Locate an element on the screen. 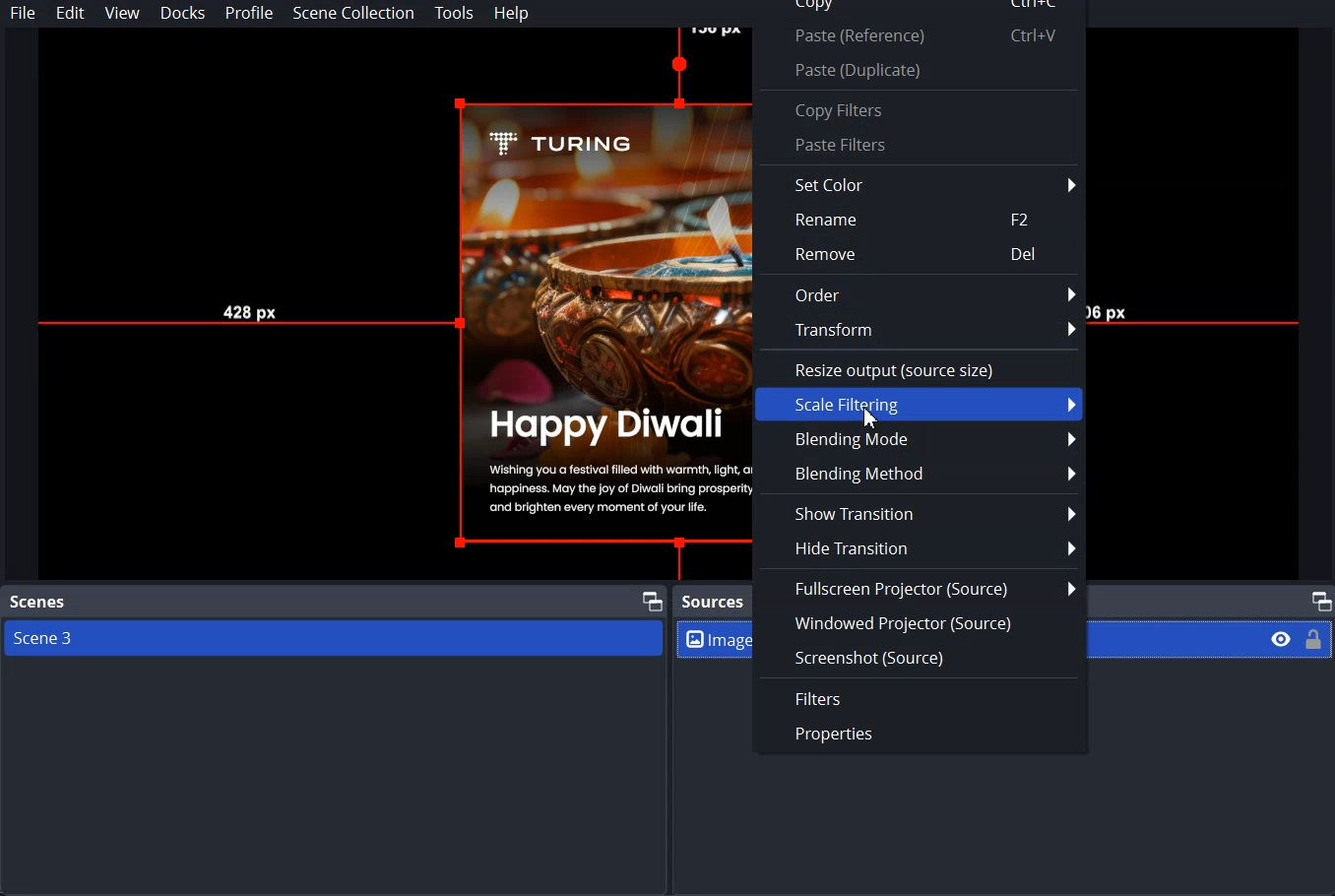  Resize output is located at coordinates (921, 367).